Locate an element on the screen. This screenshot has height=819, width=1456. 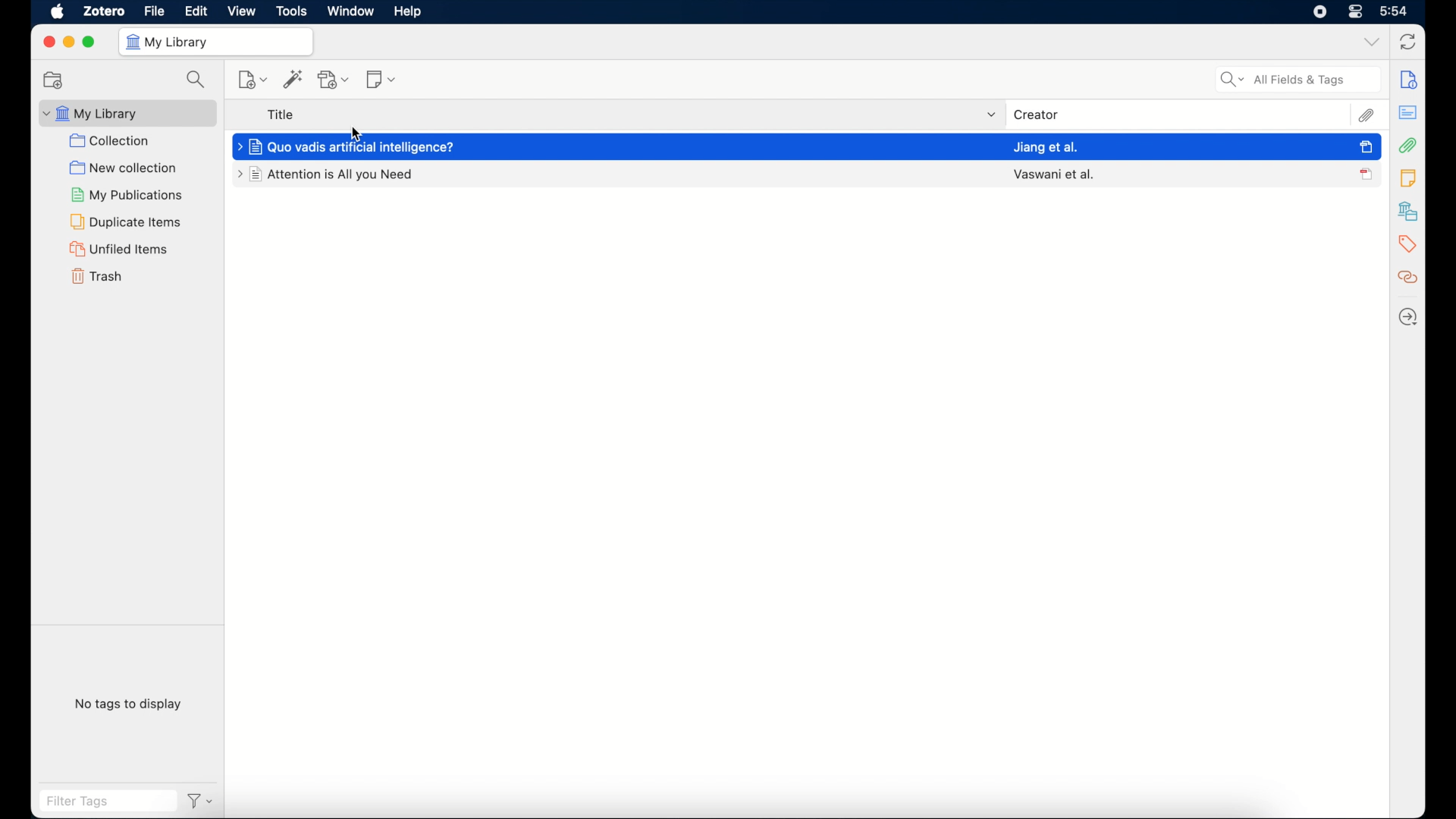
minimize is located at coordinates (69, 42).